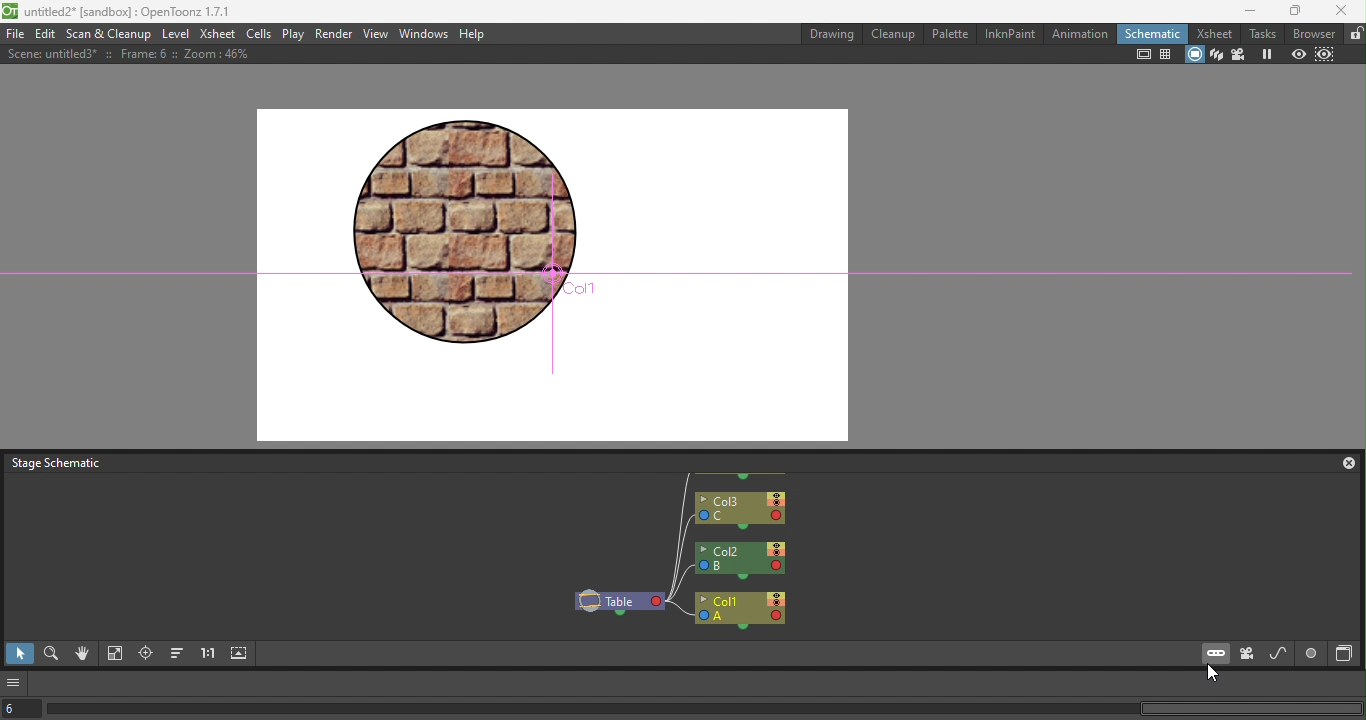  I want to click on New camera, so click(1247, 654).